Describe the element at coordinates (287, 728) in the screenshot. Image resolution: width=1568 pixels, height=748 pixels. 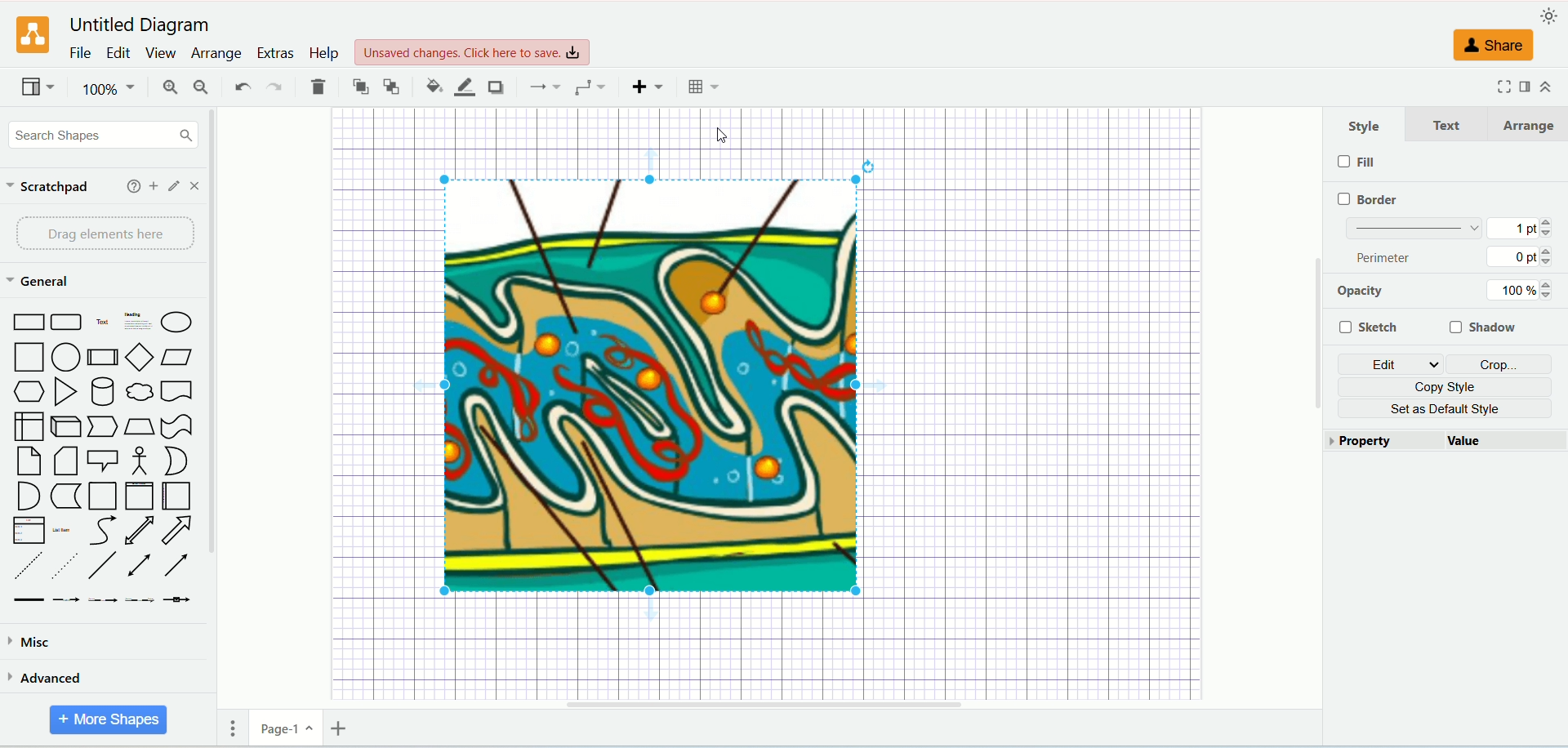
I see `page-1` at that location.